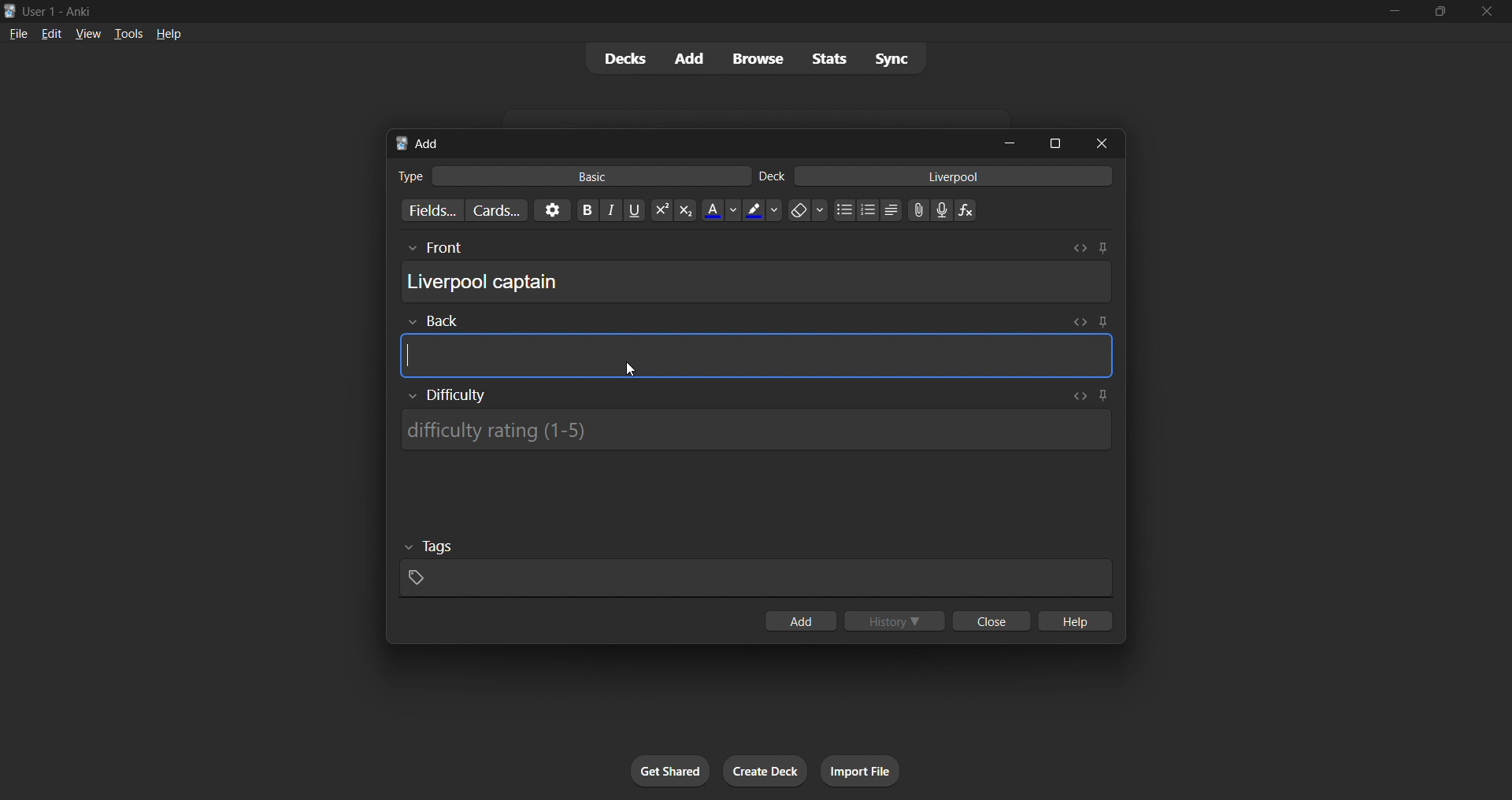 The height and width of the screenshot is (800, 1512). I want to click on Text color options, so click(721, 209).